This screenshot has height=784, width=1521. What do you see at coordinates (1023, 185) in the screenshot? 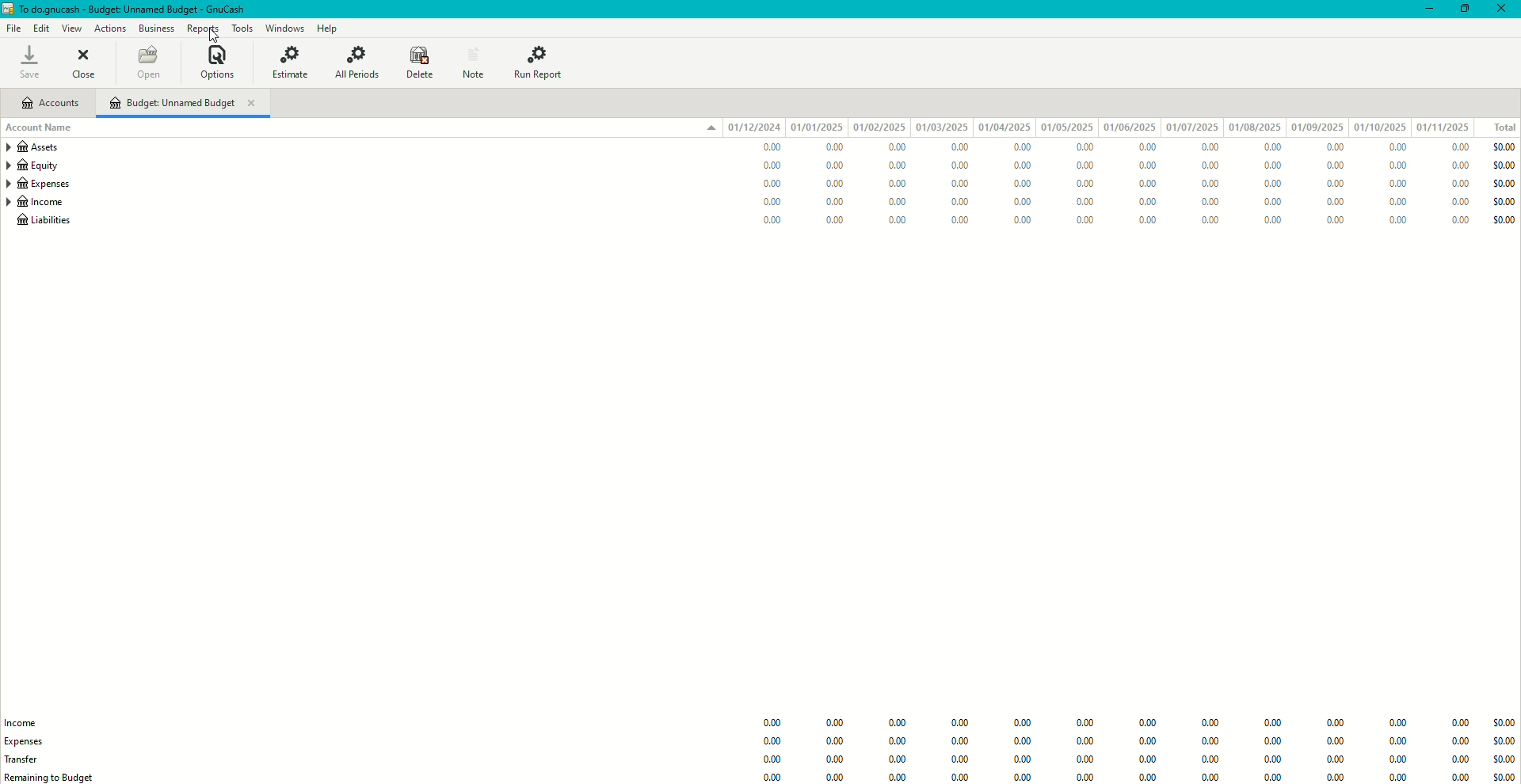
I see `0.00` at bounding box center [1023, 185].